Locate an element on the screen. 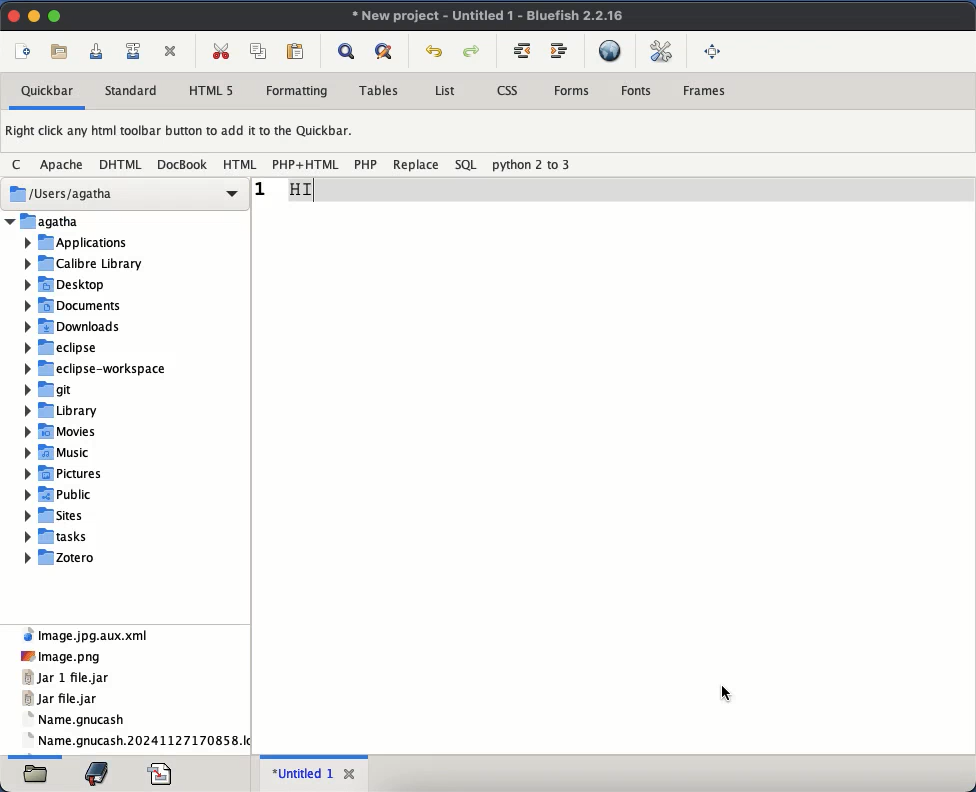 The width and height of the screenshot is (976, 792). jar is located at coordinates (60, 698).